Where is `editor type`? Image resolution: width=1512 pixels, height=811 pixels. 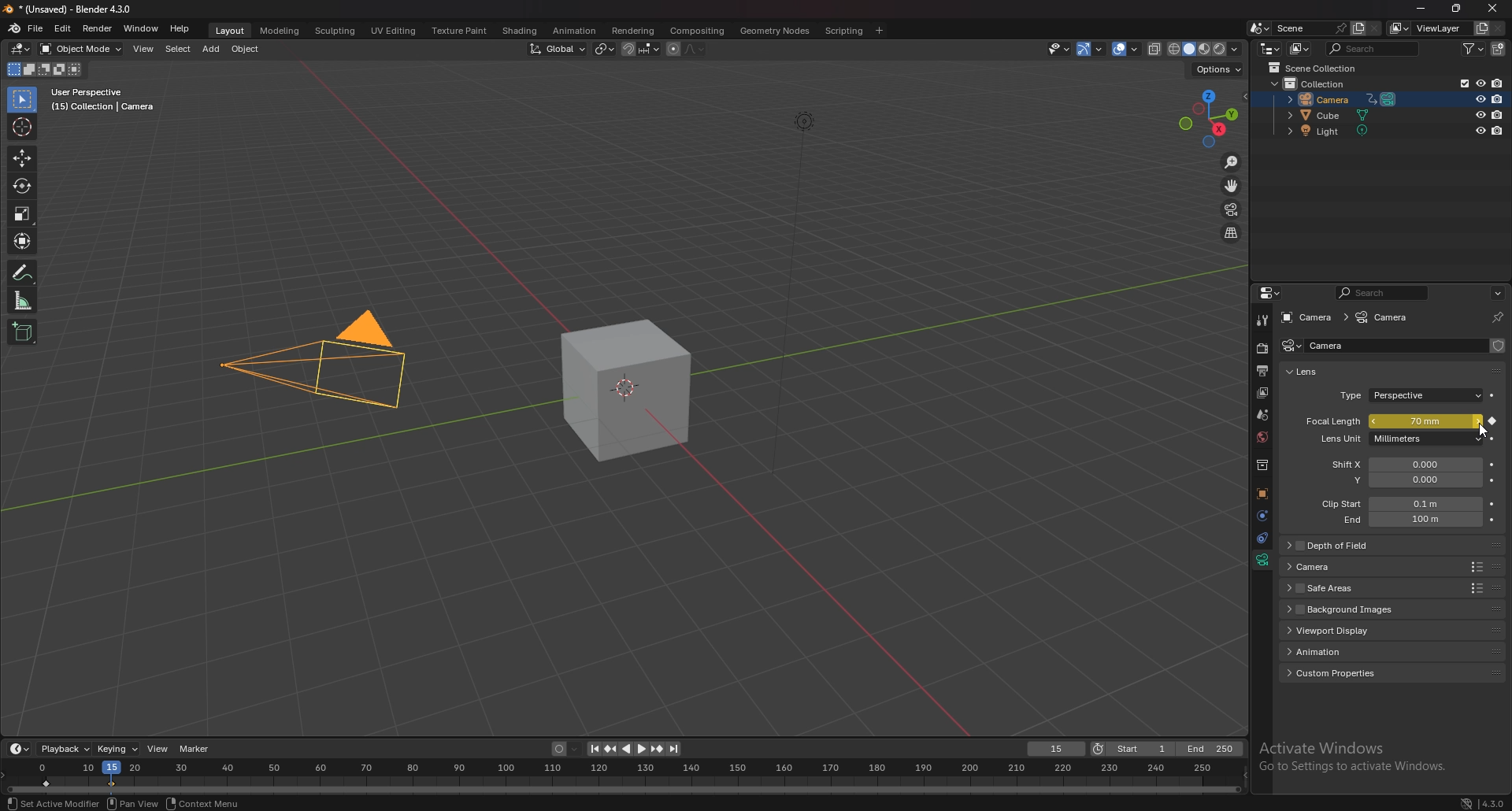 editor type is located at coordinates (1271, 292).